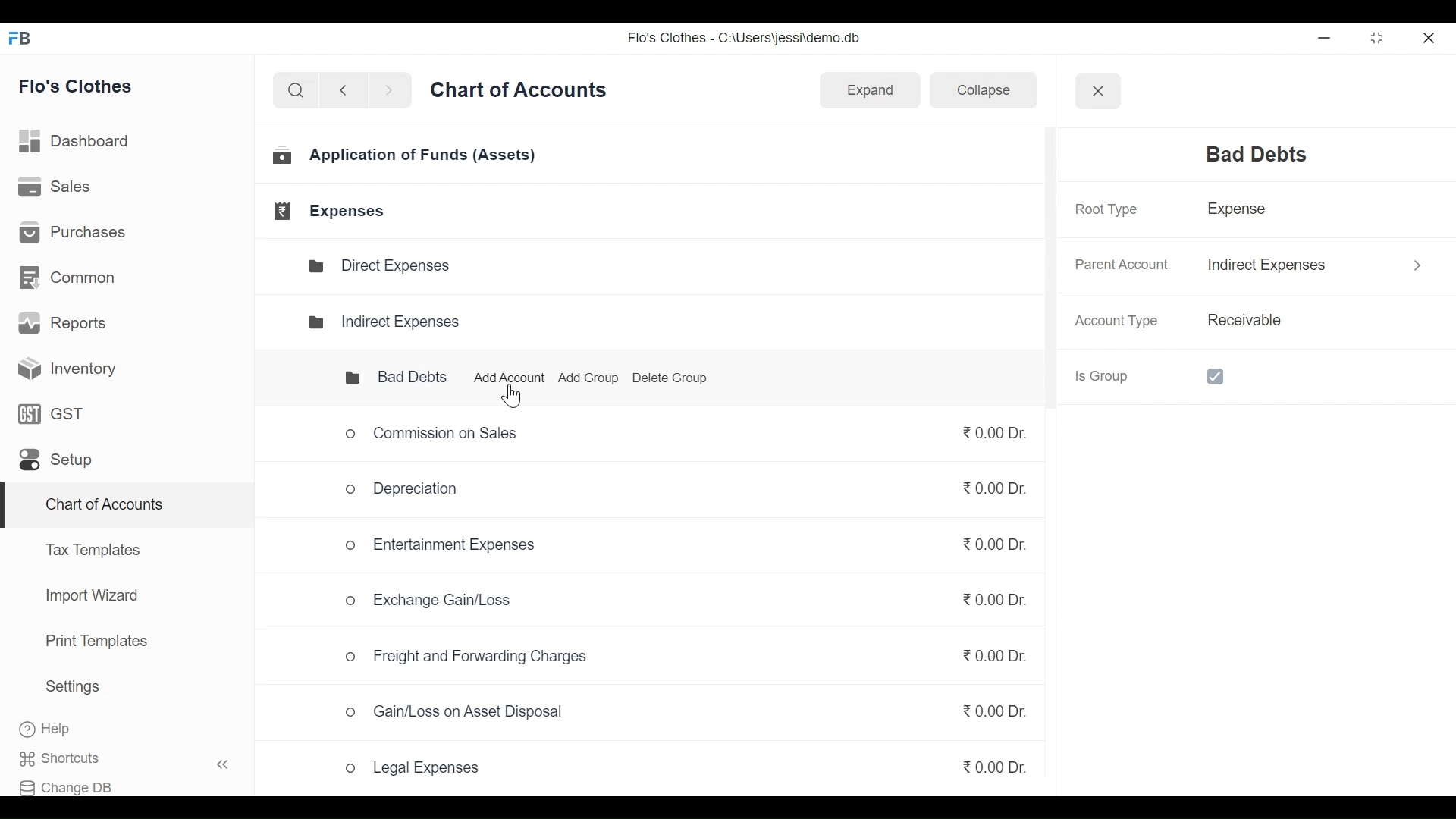 The image size is (1456, 819). Describe the element at coordinates (384, 320) in the screenshot. I see `Indirect Expenses` at that location.